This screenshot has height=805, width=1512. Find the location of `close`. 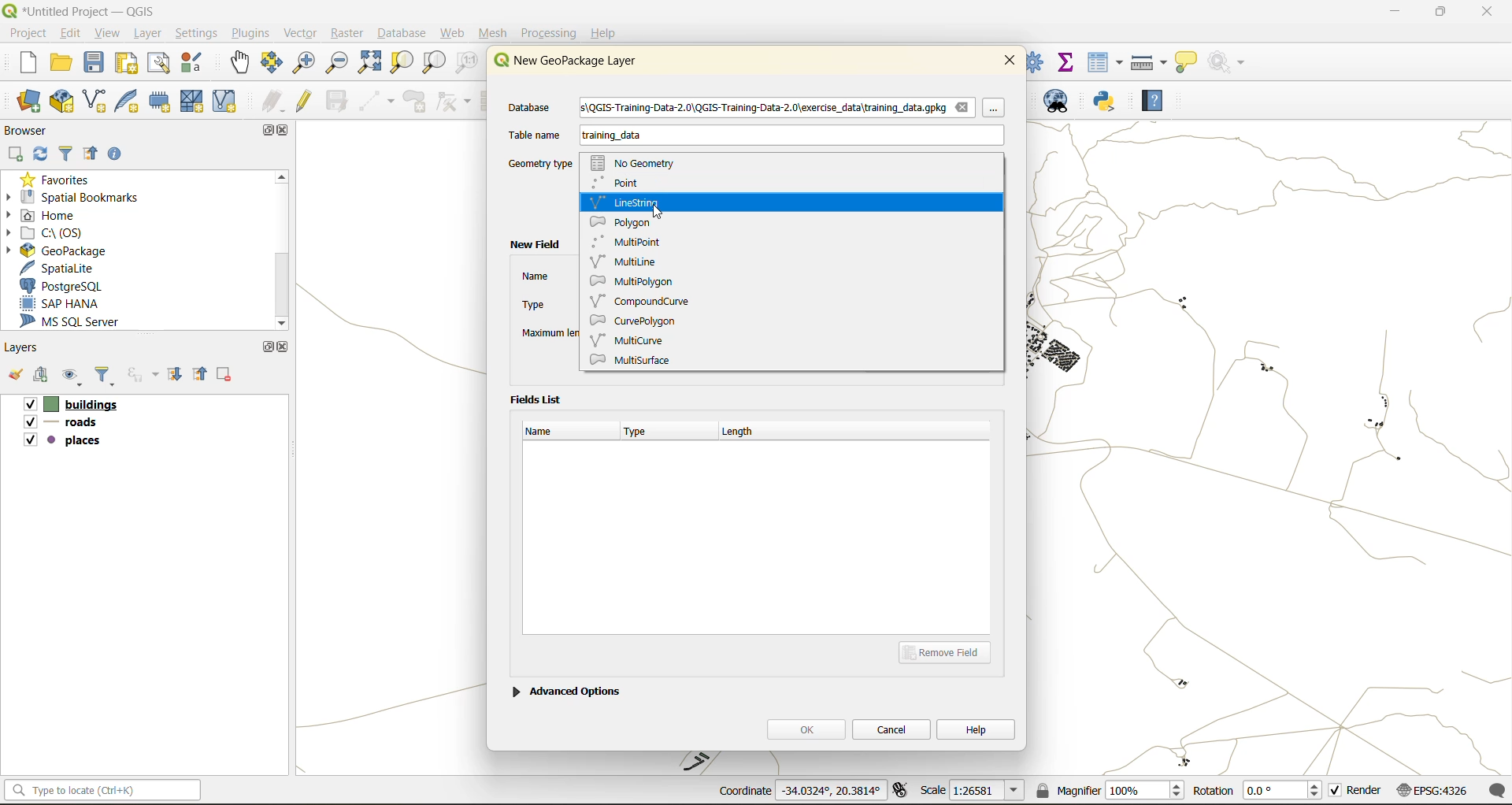

close is located at coordinates (1010, 59).